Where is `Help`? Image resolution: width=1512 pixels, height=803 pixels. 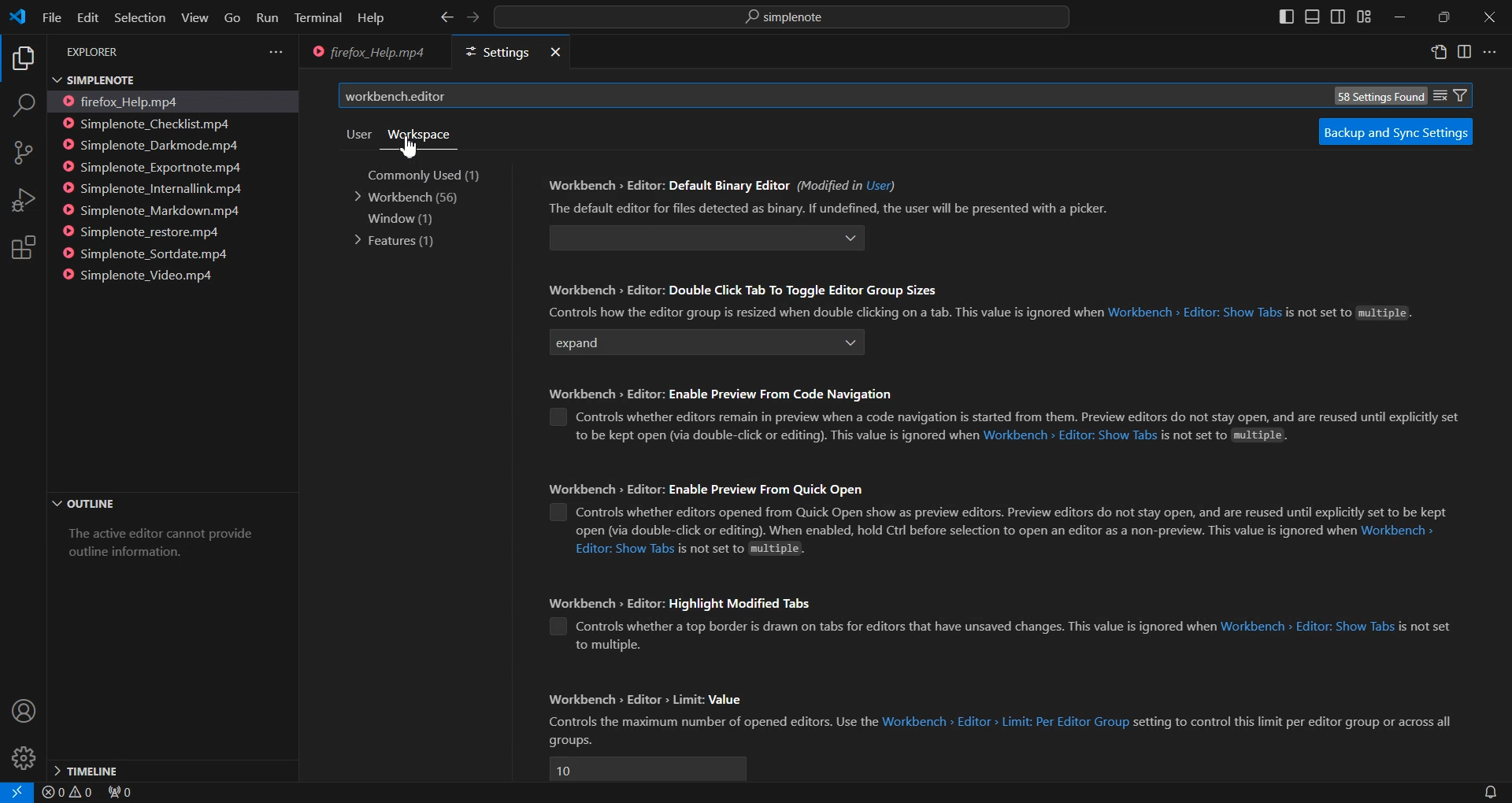
Help is located at coordinates (370, 19).